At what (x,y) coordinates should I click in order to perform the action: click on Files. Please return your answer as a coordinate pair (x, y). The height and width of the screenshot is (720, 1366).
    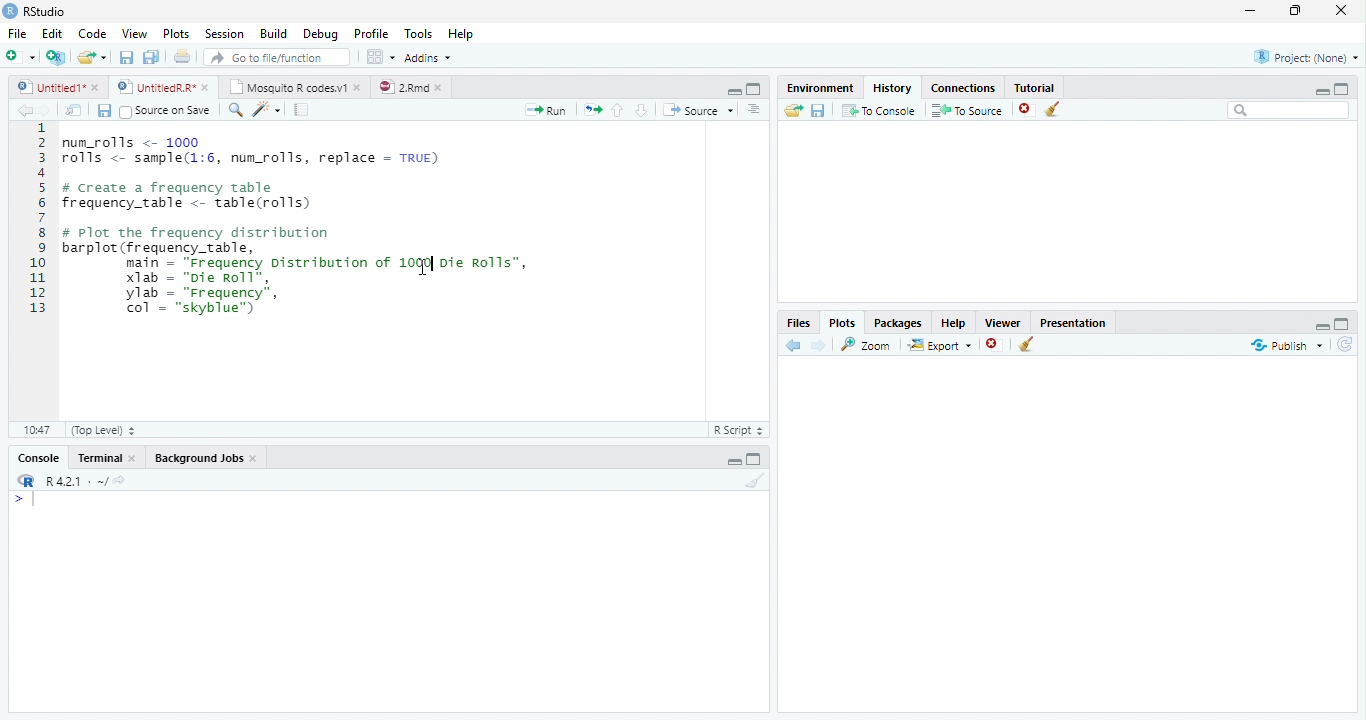
    Looking at the image, I should click on (798, 321).